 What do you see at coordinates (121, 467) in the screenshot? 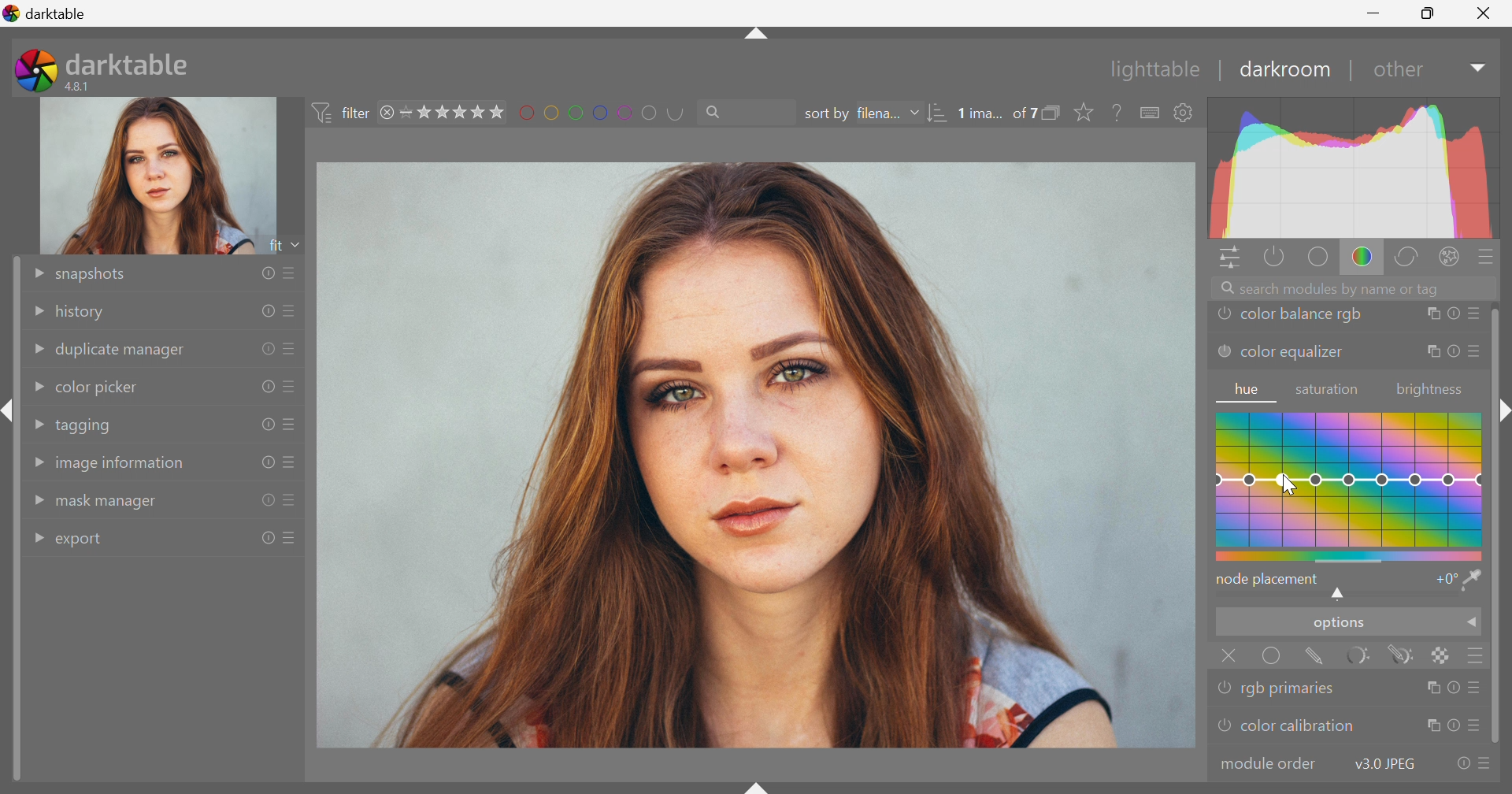
I see `image information` at bounding box center [121, 467].